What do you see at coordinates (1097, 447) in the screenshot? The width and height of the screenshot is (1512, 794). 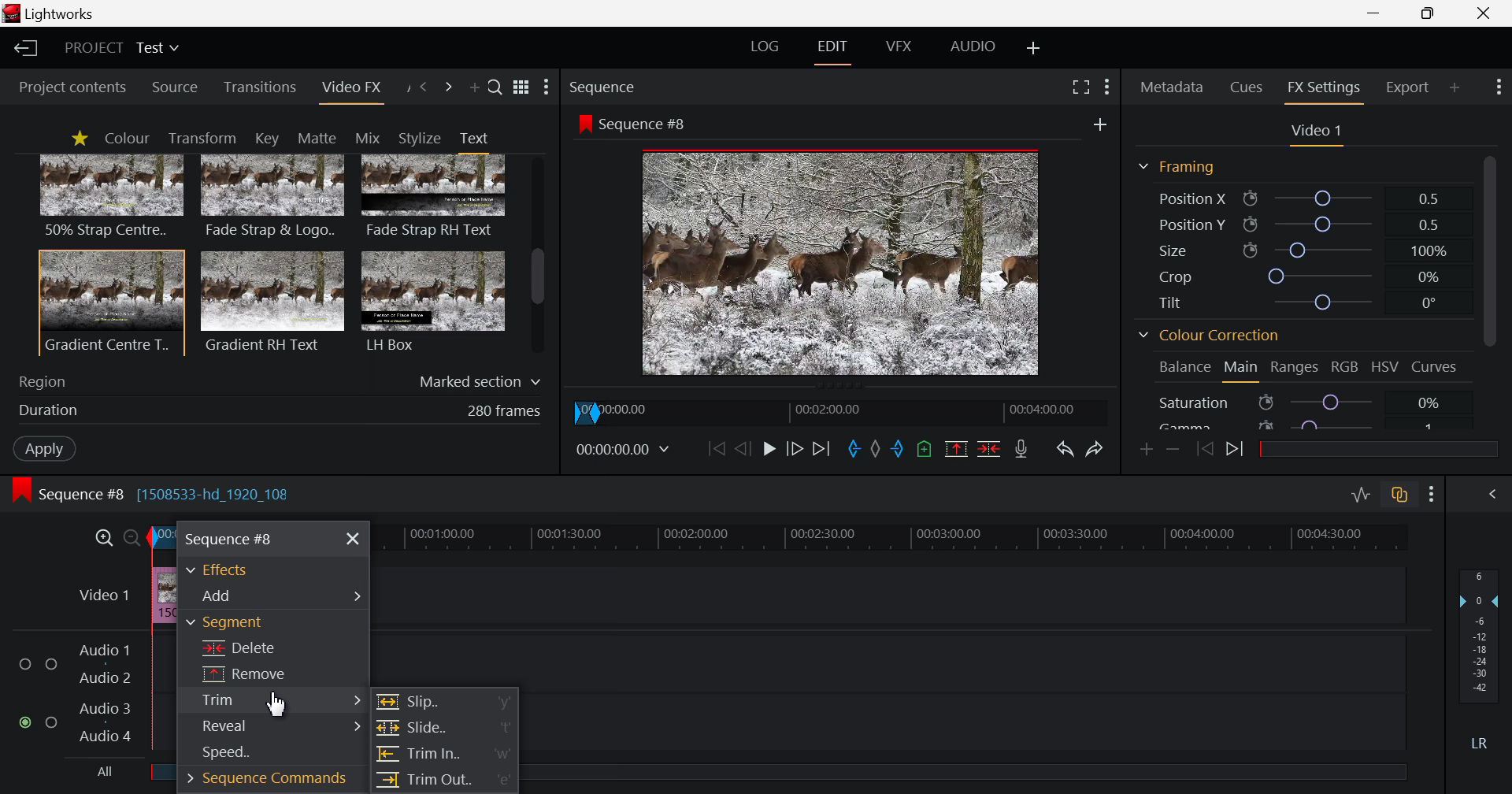 I see `Redo` at bounding box center [1097, 447].